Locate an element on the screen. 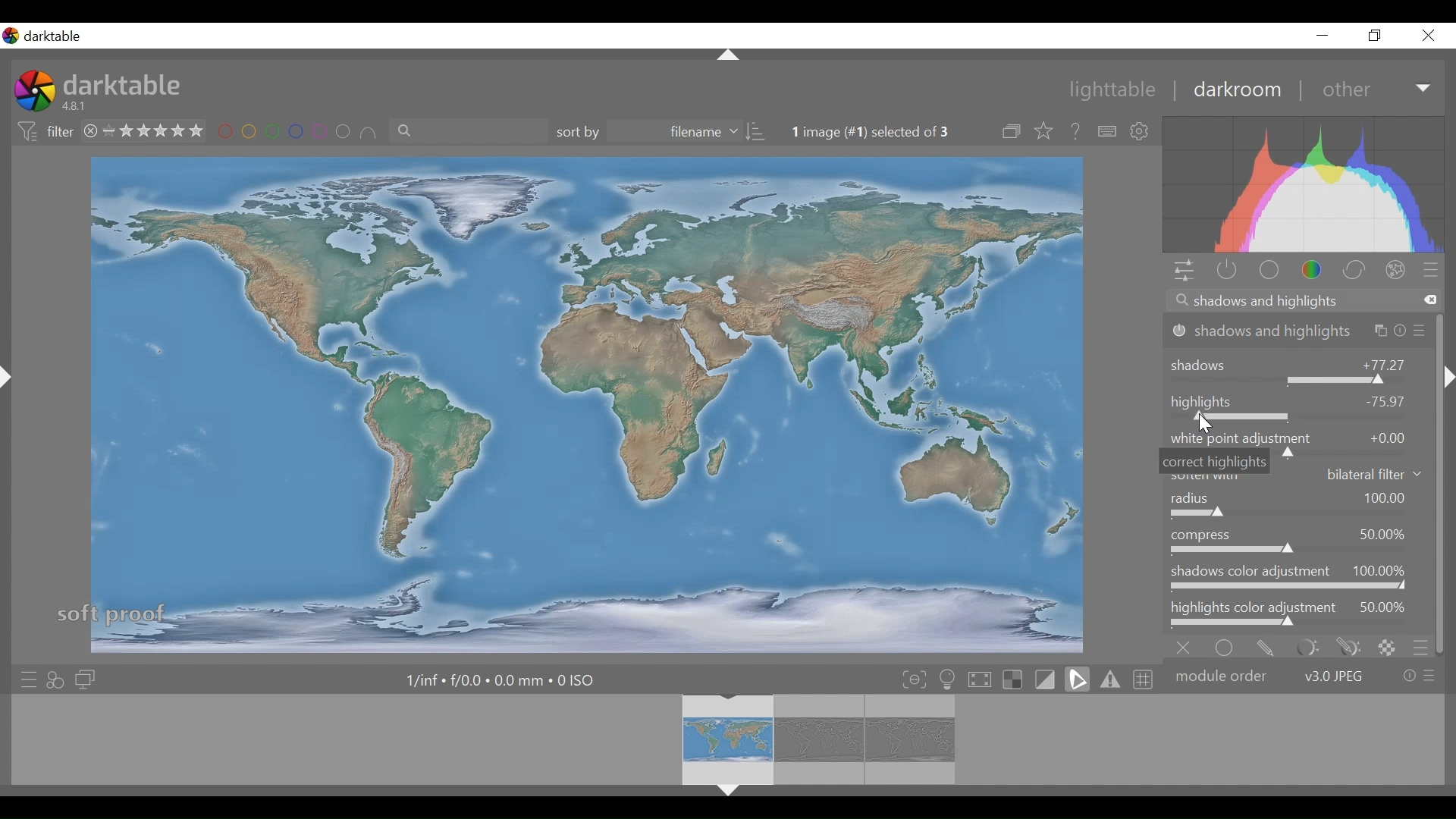 The width and height of the screenshot is (1456, 819). toggle IS 12646 color assessments conditions is located at coordinates (948, 680).